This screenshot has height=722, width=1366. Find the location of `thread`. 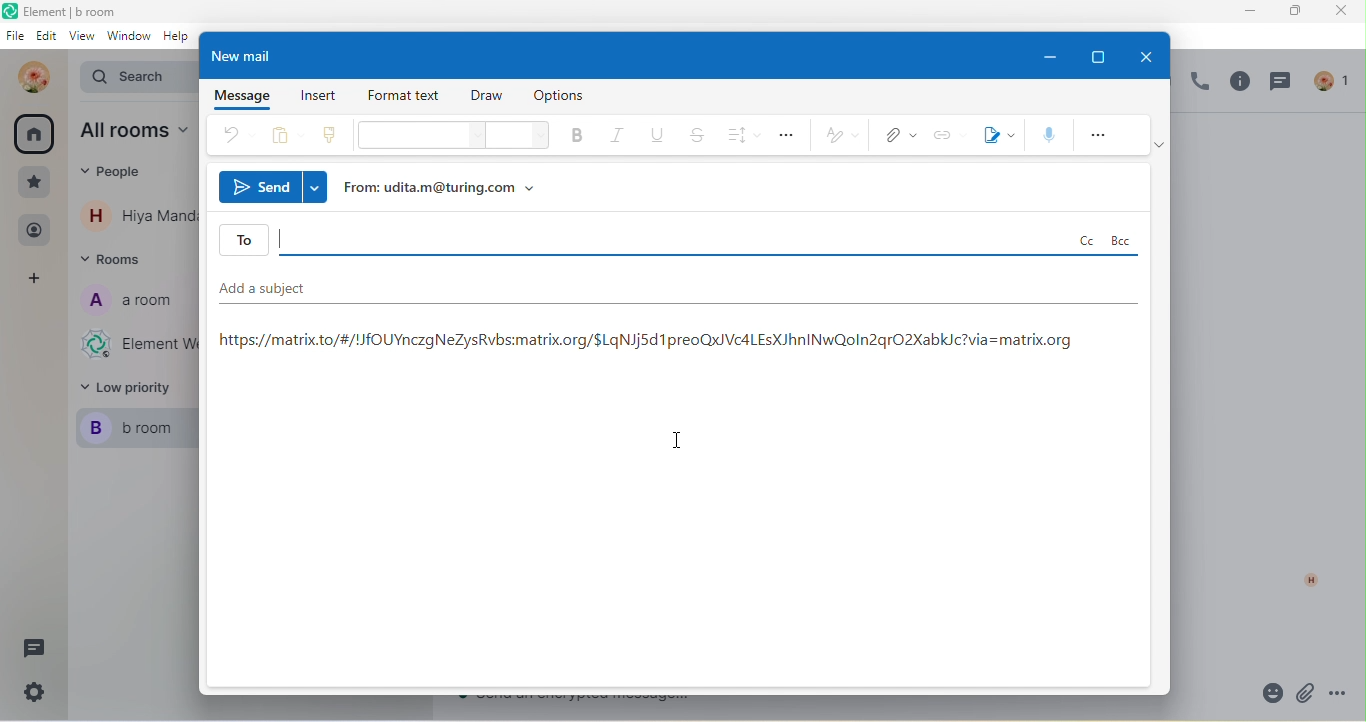

thread is located at coordinates (33, 649).